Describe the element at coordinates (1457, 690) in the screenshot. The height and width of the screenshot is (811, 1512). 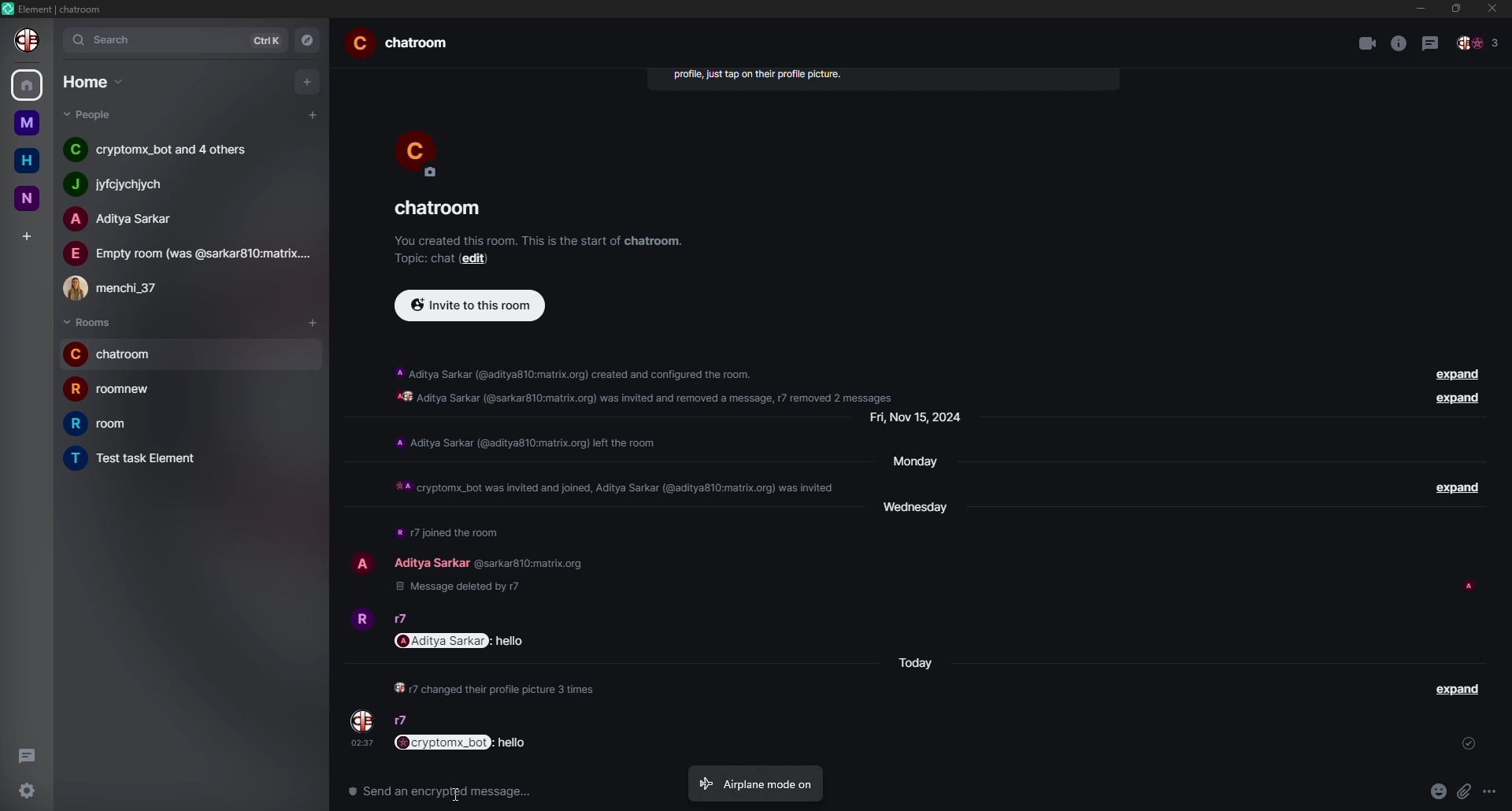
I see `expand` at that location.